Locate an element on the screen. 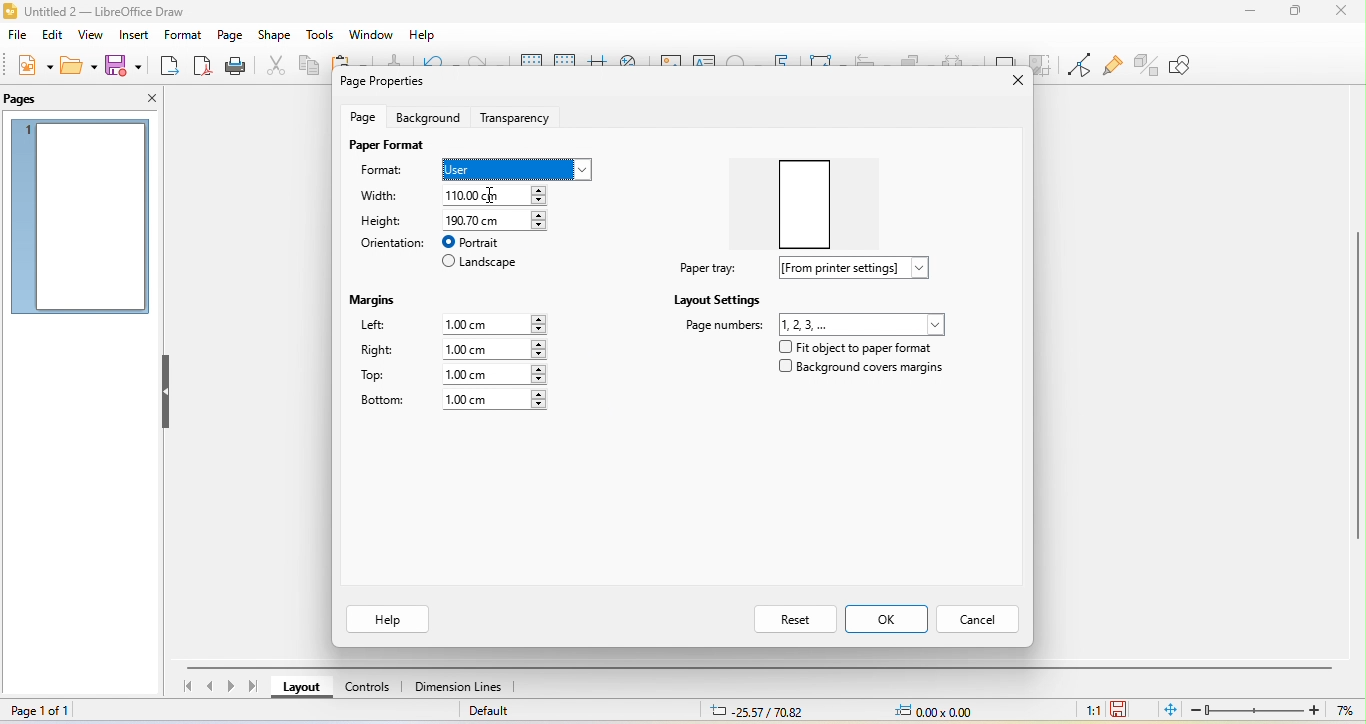 This screenshot has width=1366, height=724. fit object to paper format is located at coordinates (853, 347).